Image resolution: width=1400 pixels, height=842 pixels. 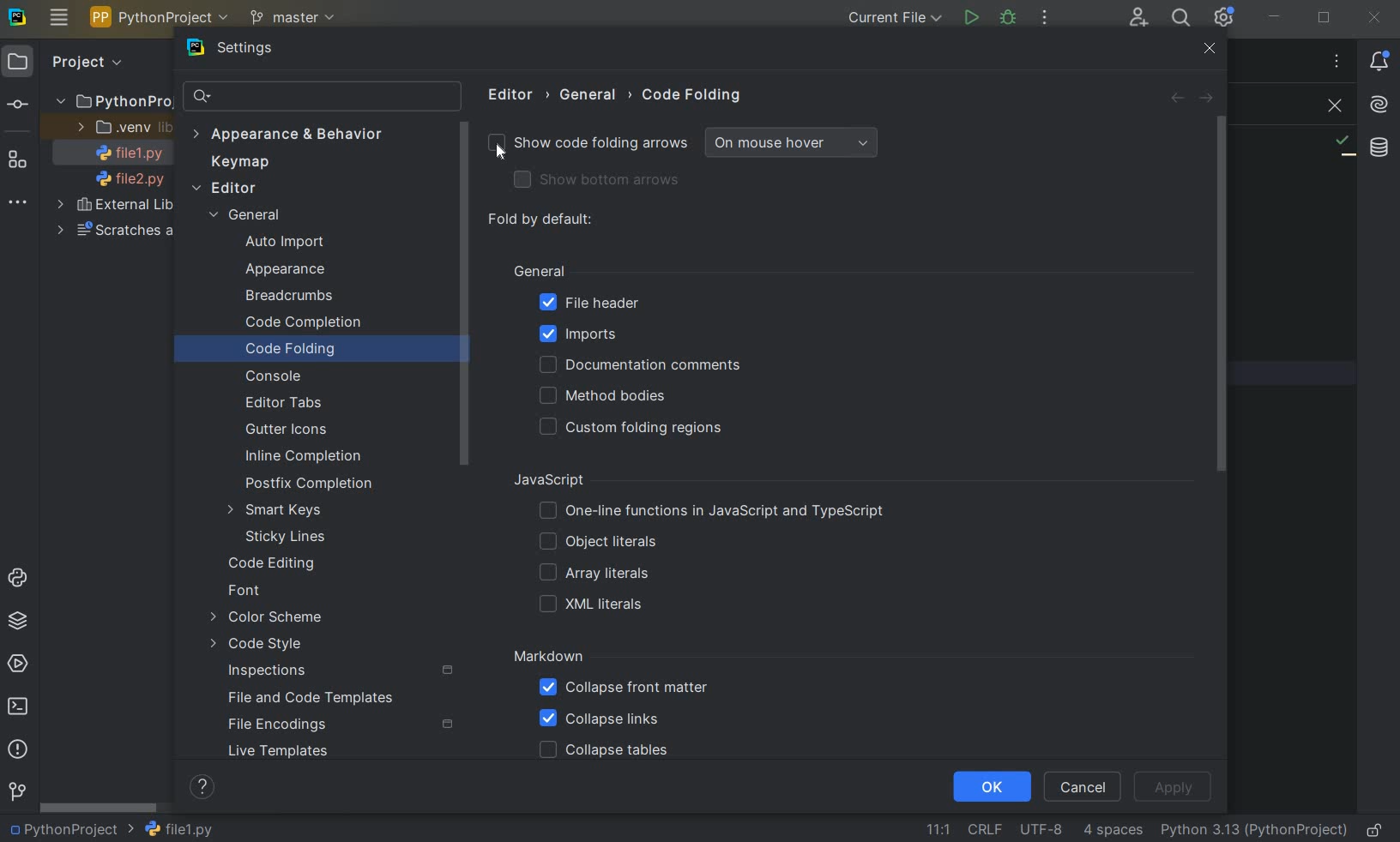 What do you see at coordinates (1176, 99) in the screenshot?
I see `BACK` at bounding box center [1176, 99].